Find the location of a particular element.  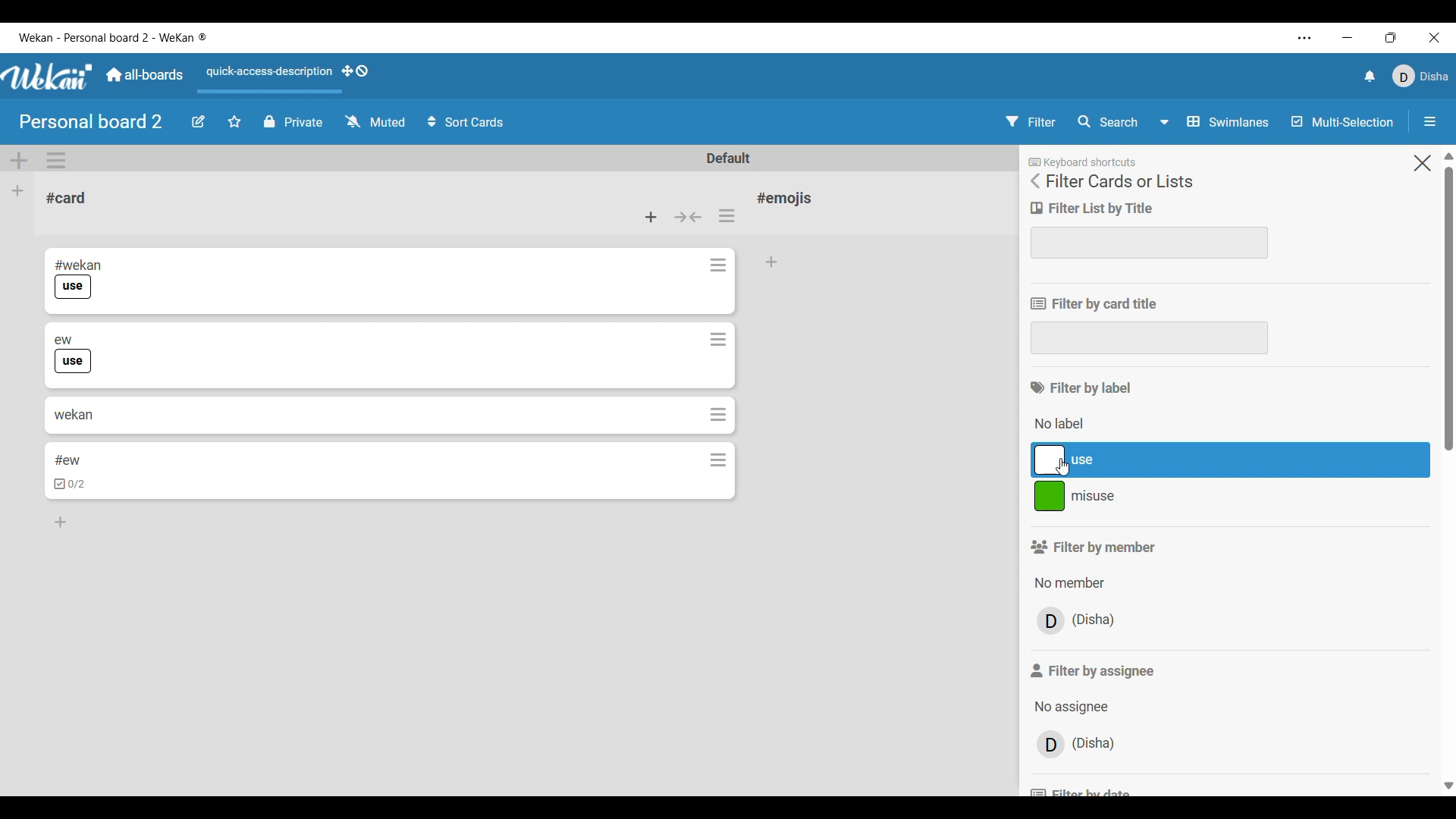

Go back is located at coordinates (1034, 181).